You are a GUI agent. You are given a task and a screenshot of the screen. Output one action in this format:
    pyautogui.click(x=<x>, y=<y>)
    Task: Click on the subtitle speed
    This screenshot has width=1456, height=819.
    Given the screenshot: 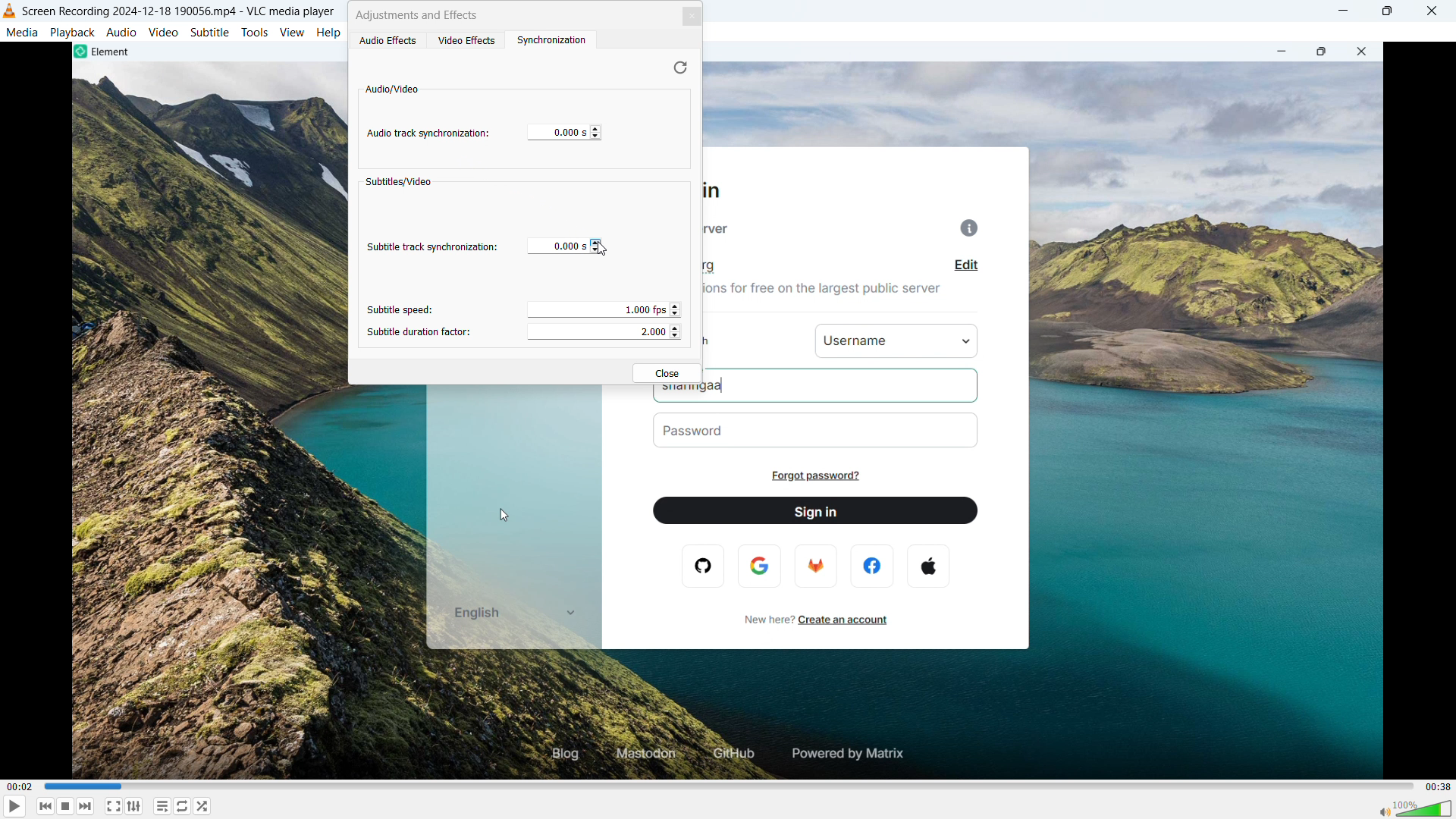 What is the action you would take?
    pyautogui.click(x=402, y=309)
    